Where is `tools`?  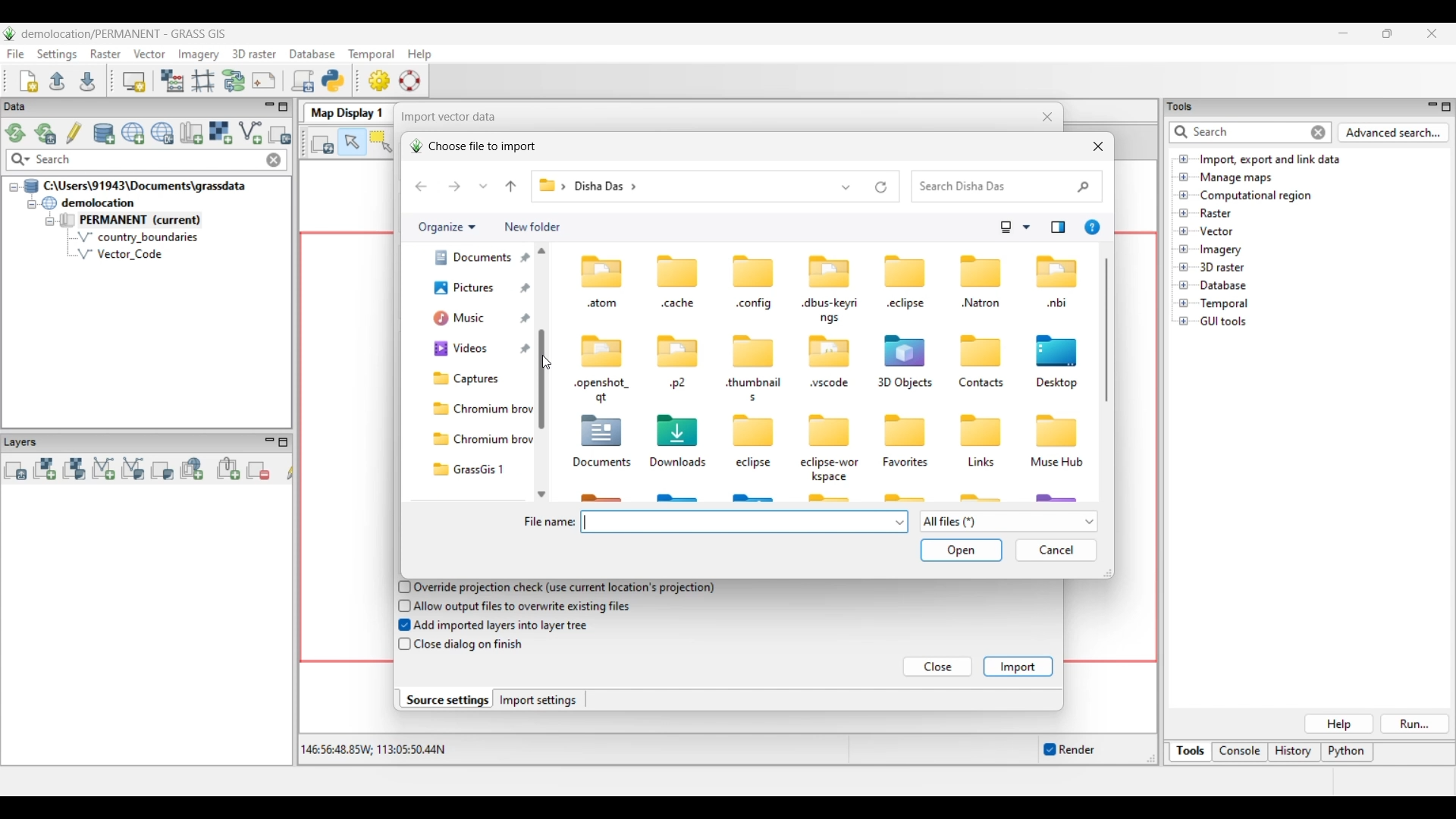 tools is located at coordinates (1185, 105).